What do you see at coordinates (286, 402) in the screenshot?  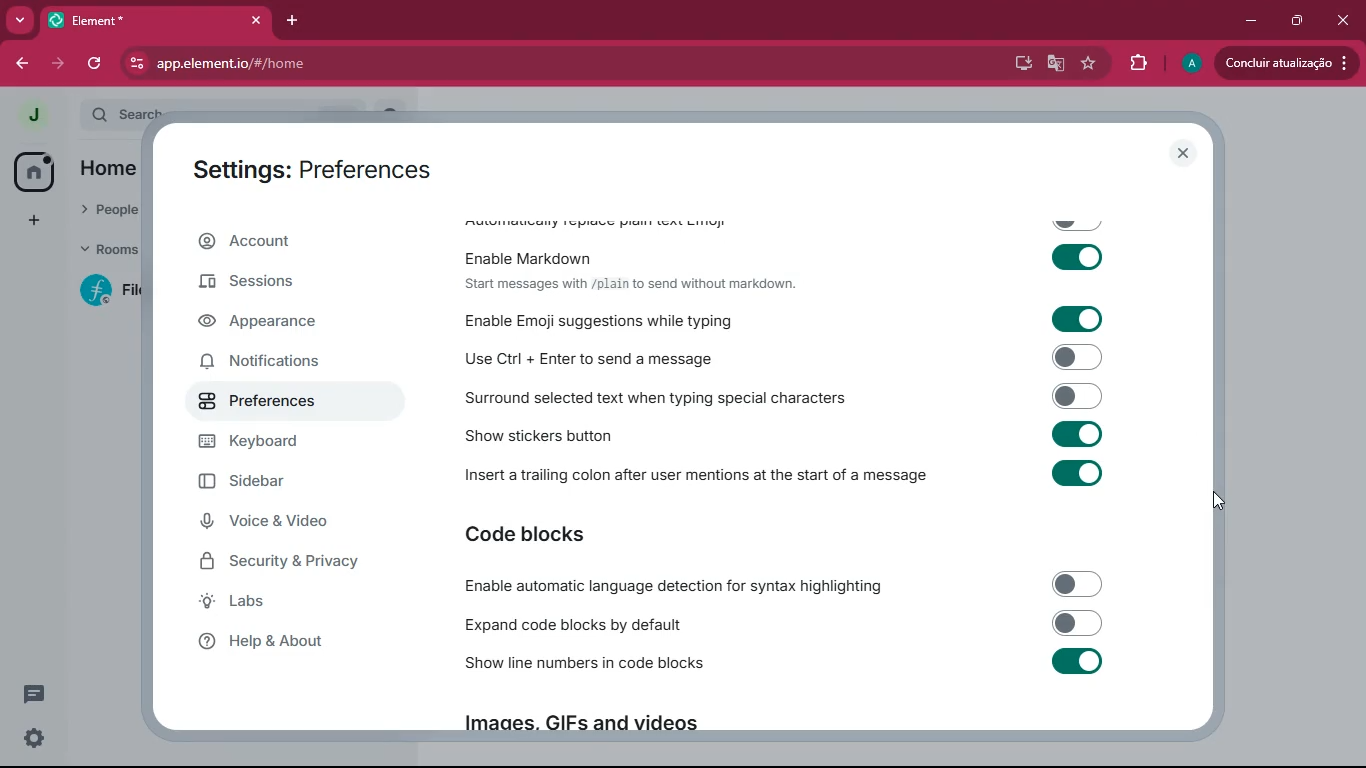 I see `preferences` at bounding box center [286, 402].